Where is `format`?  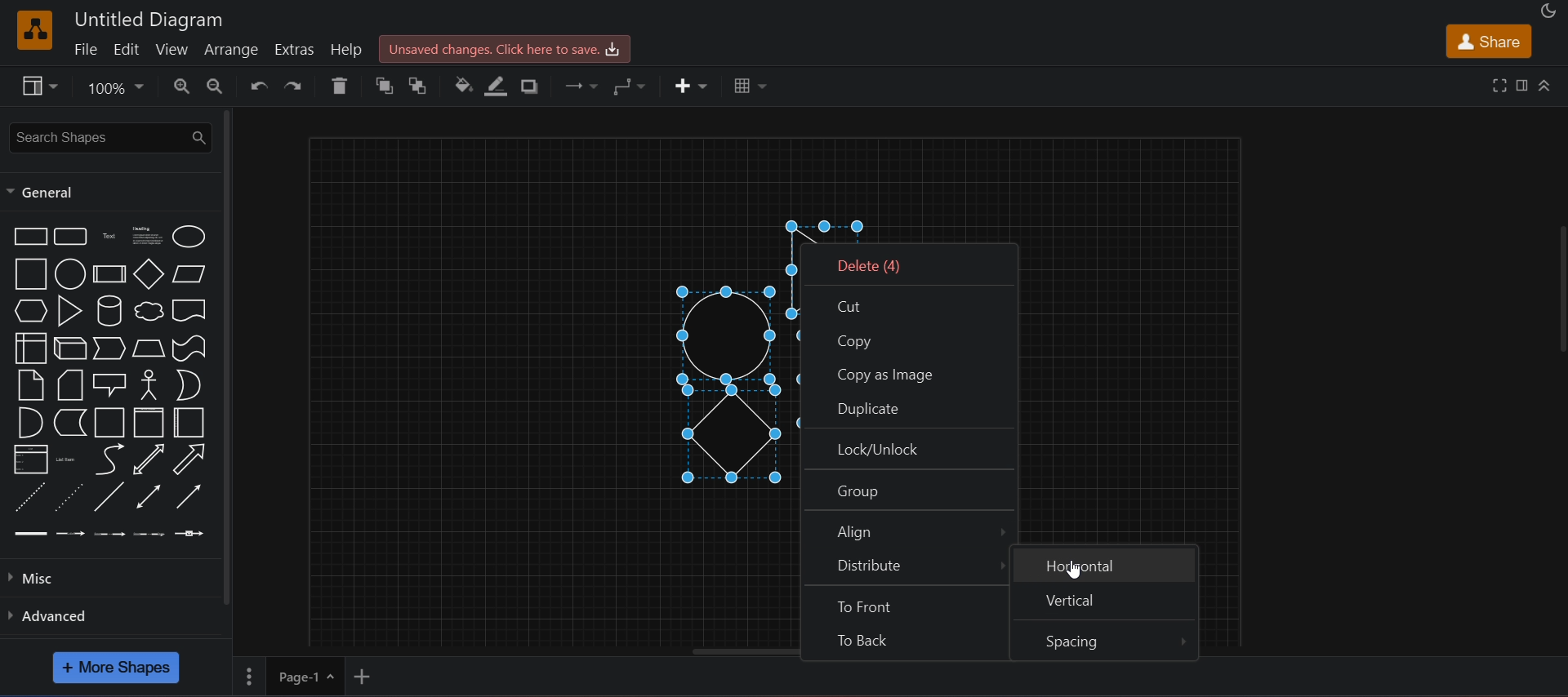 format is located at coordinates (1522, 85).